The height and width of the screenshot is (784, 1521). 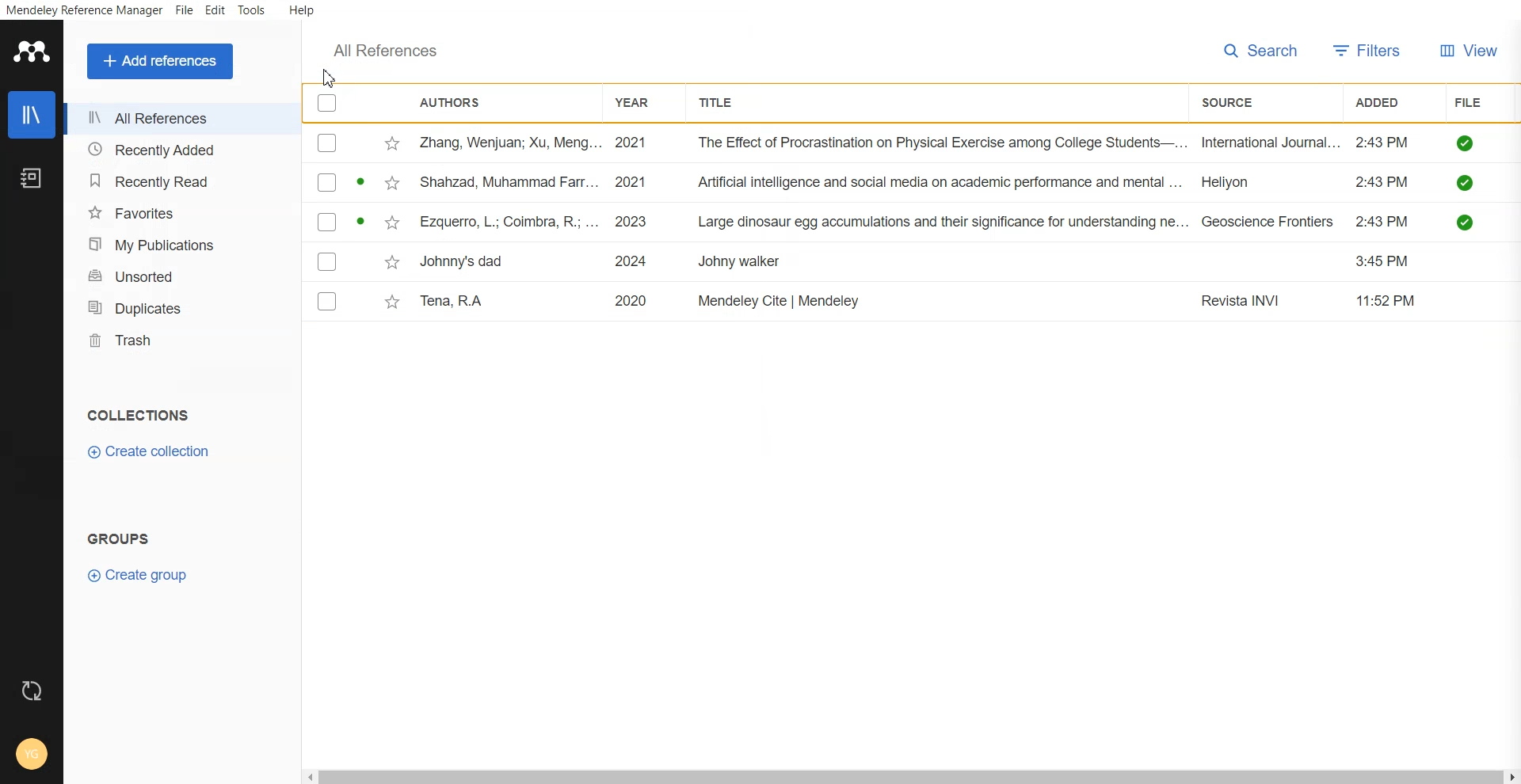 What do you see at coordinates (638, 103) in the screenshot?
I see `Year` at bounding box center [638, 103].